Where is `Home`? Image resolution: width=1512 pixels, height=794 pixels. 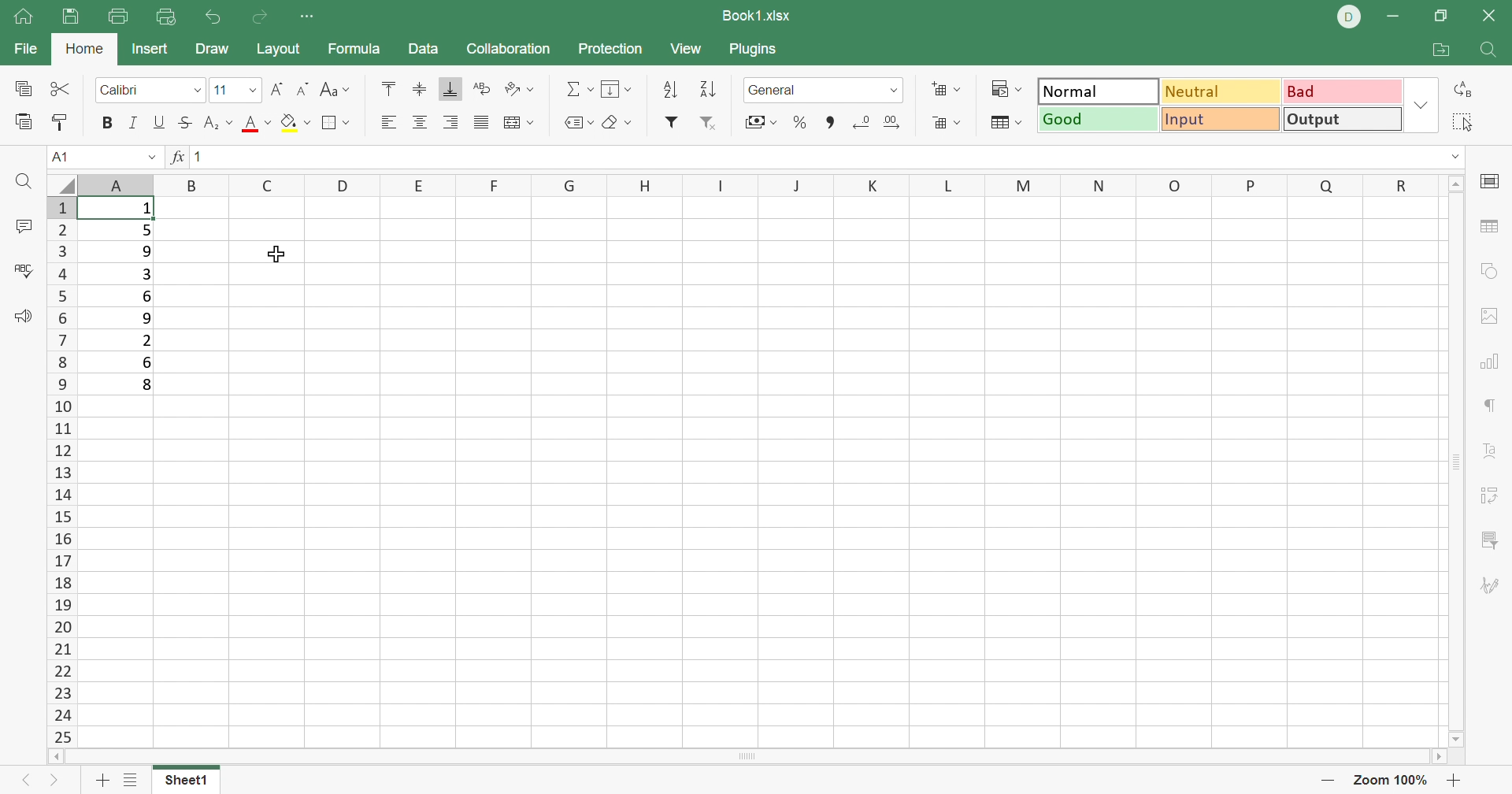
Home is located at coordinates (24, 17).